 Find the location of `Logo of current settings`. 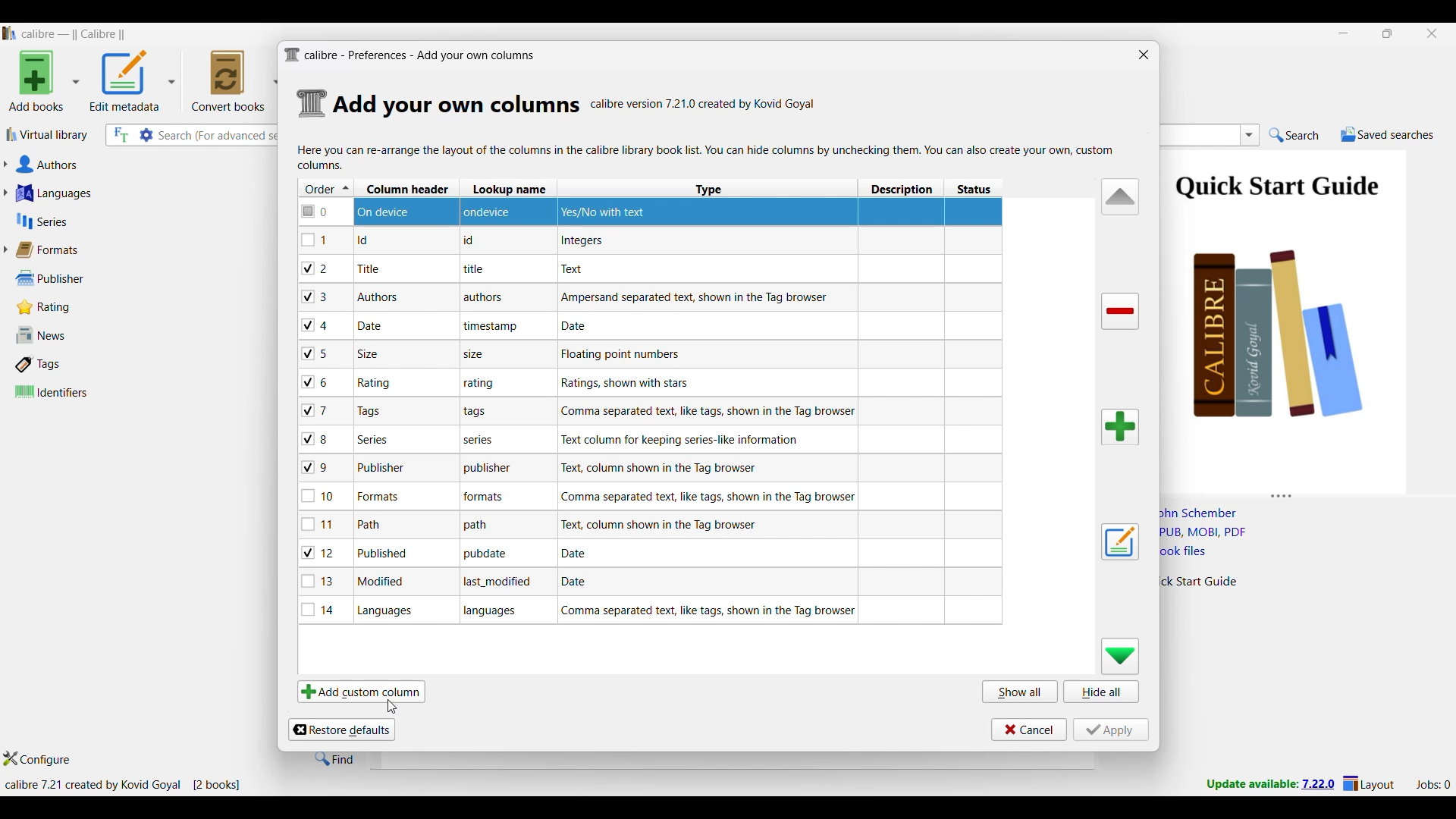

Logo of current settings is located at coordinates (312, 104).